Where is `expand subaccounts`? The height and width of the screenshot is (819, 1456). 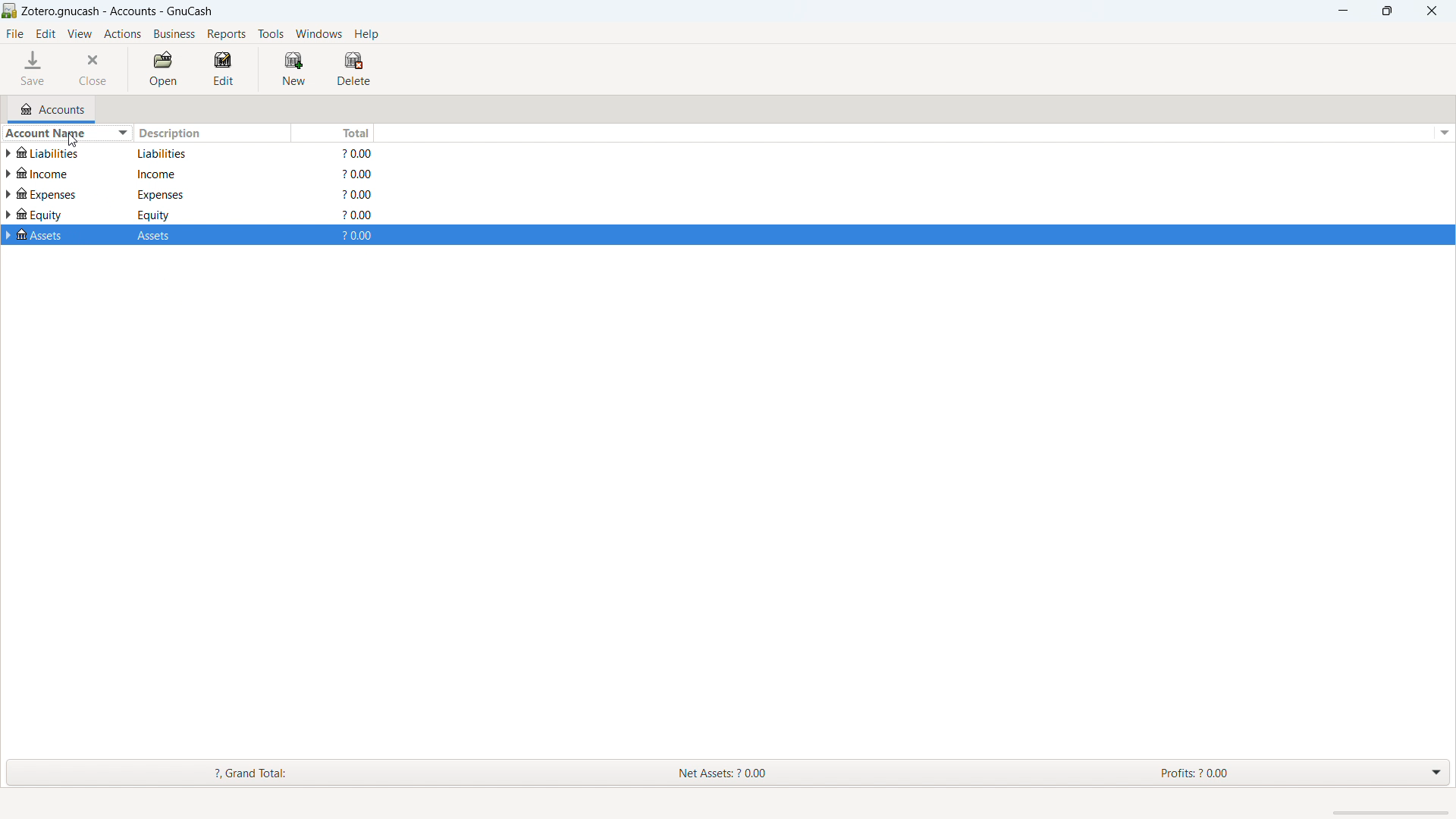
expand subaccounts is located at coordinates (9, 195).